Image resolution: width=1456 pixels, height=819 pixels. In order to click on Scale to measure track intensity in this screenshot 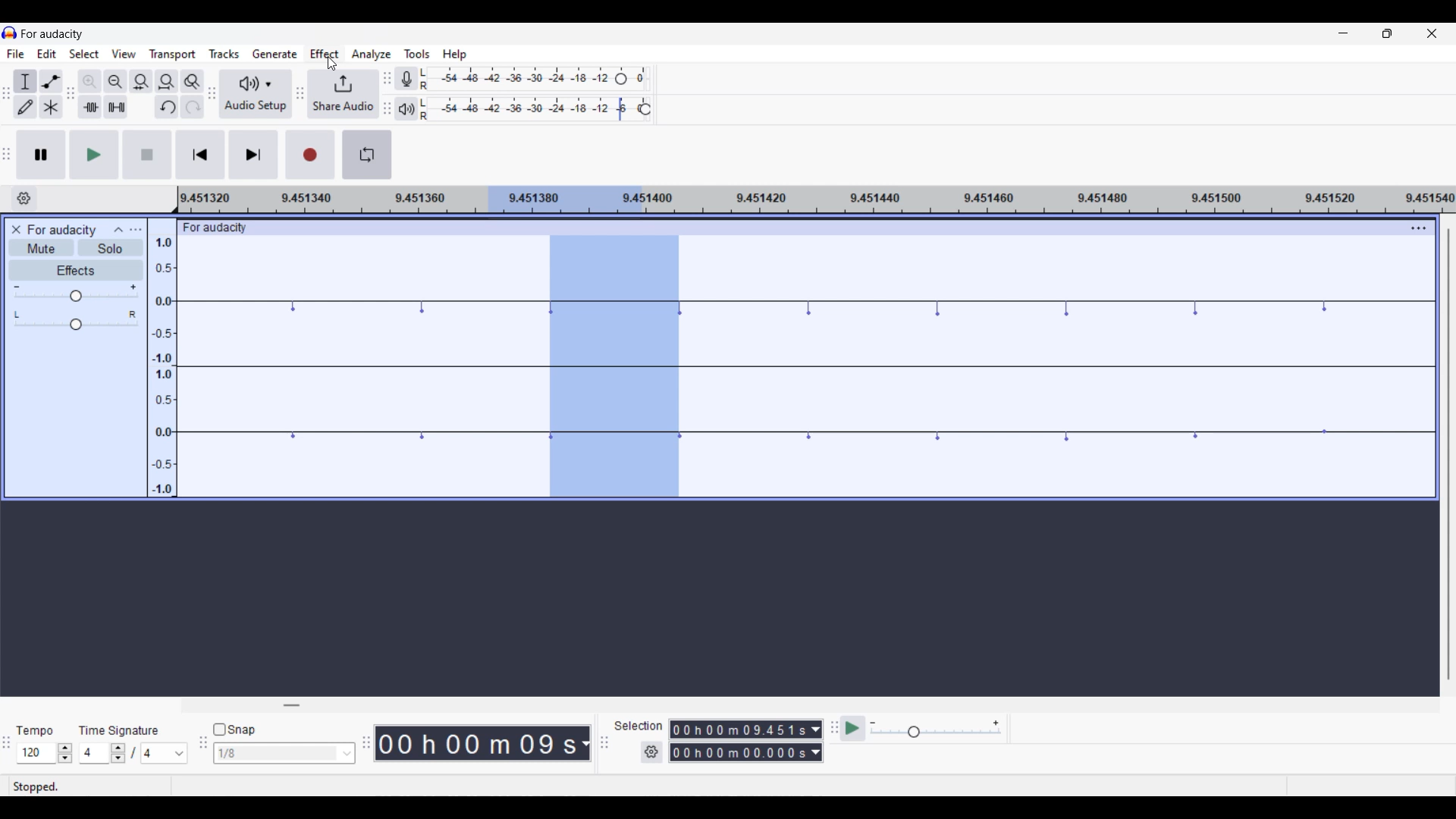, I will do `click(162, 358)`.